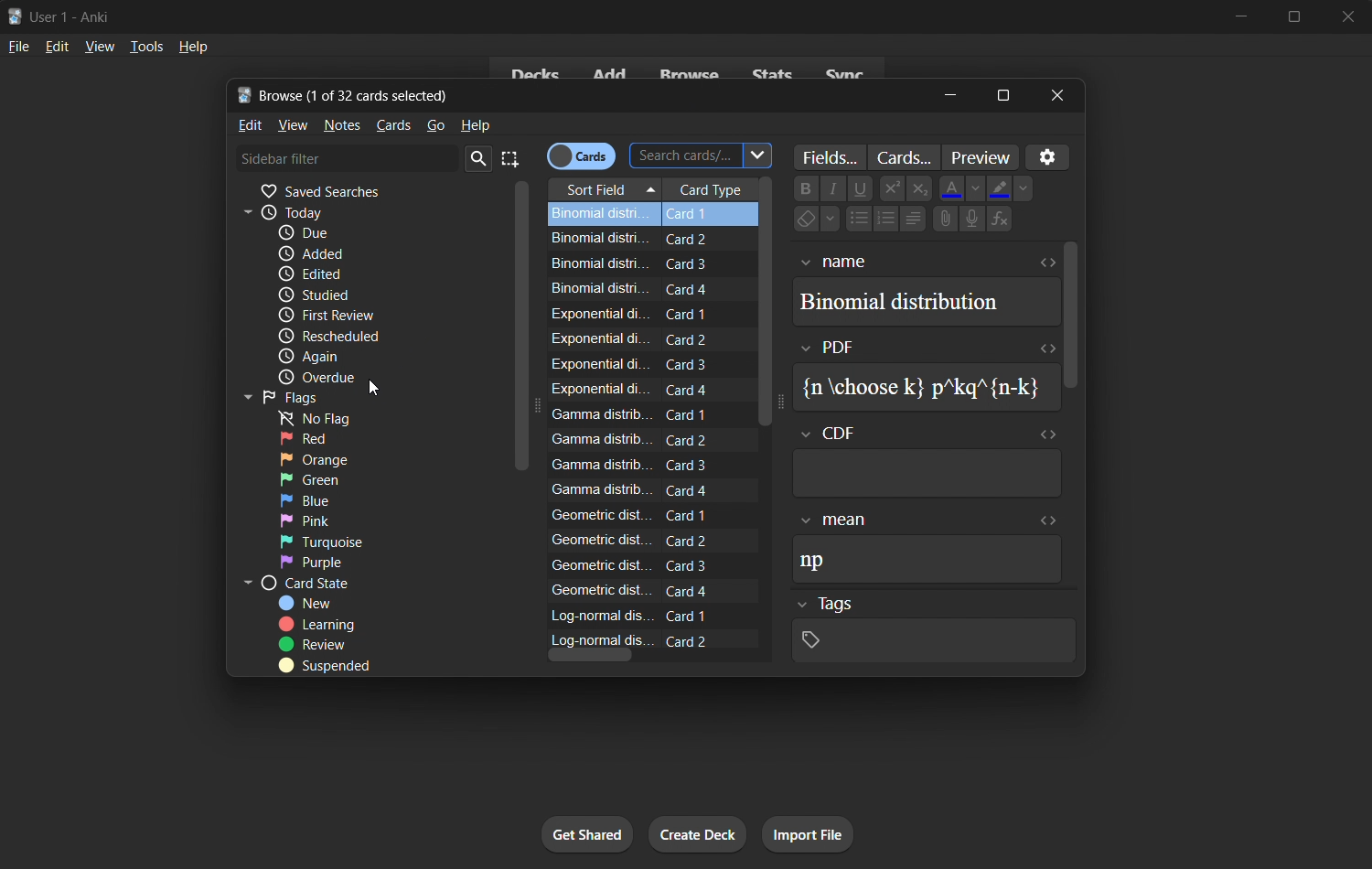 The image size is (1372, 869). What do you see at coordinates (831, 220) in the screenshot?
I see `` at bounding box center [831, 220].